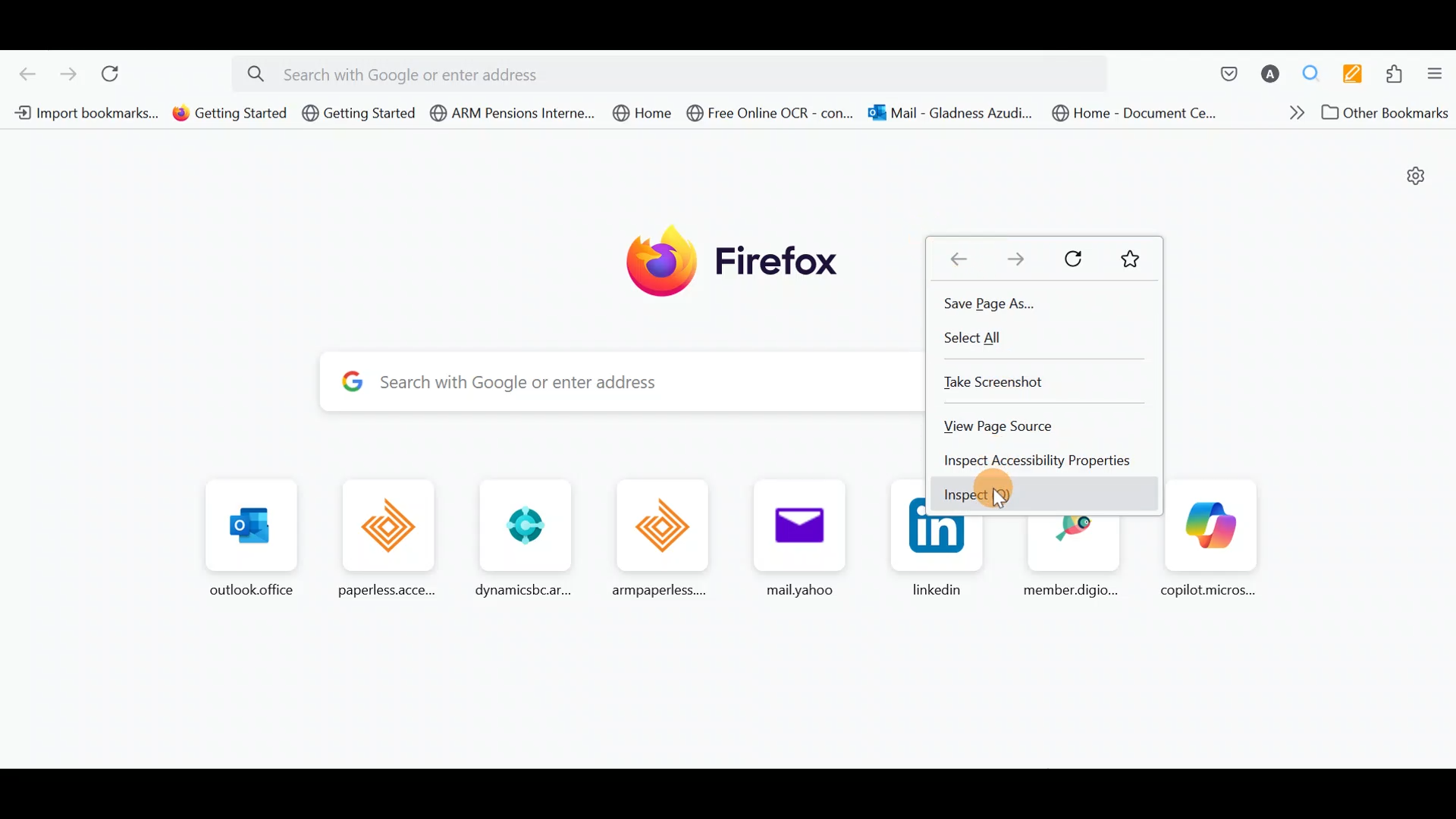 This screenshot has width=1456, height=819. What do you see at coordinates (996, 307) in the screenshot?
I see `Save page as` at bounding box center [996, 307].